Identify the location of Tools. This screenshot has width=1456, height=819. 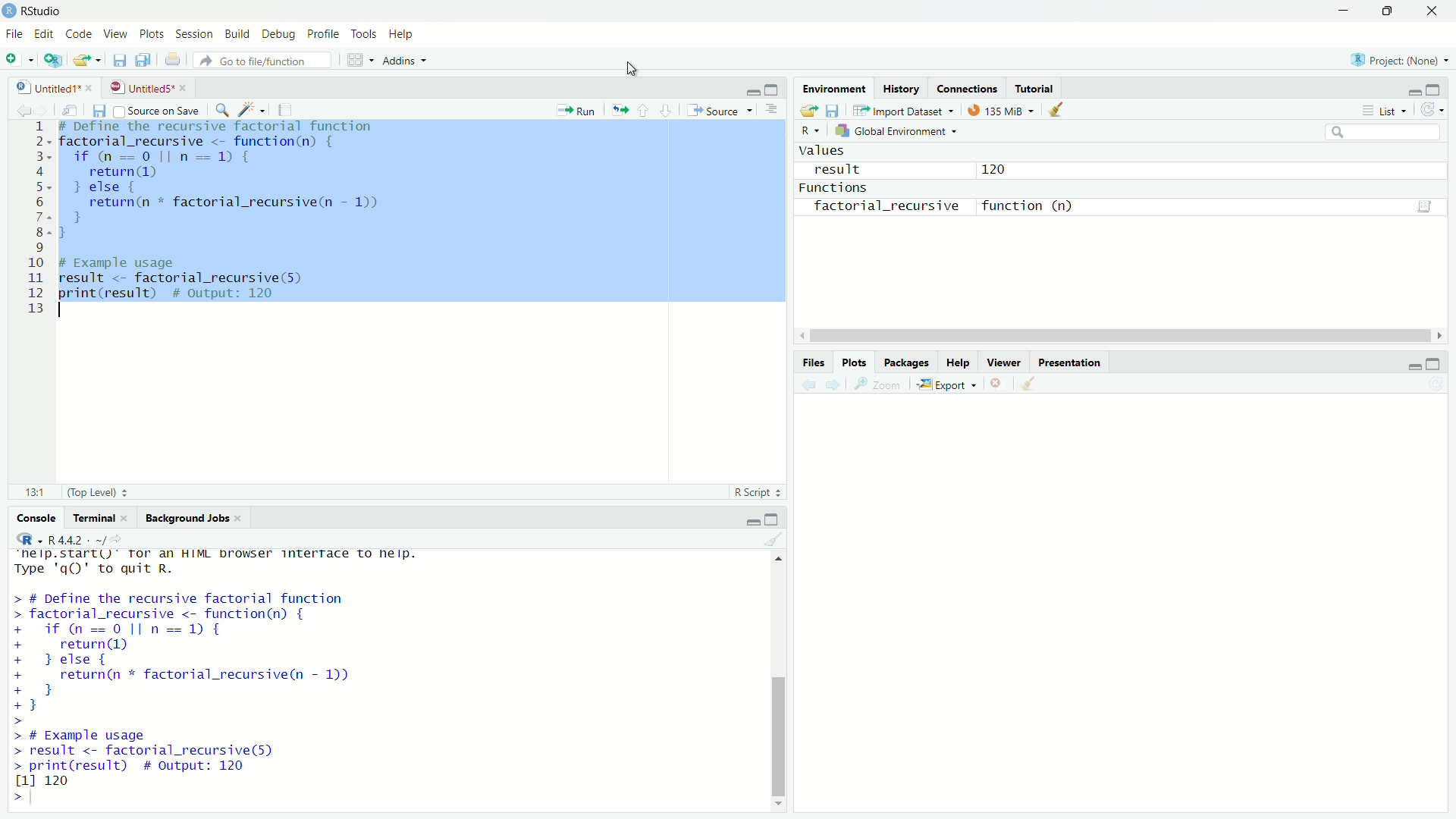
(360, 34).